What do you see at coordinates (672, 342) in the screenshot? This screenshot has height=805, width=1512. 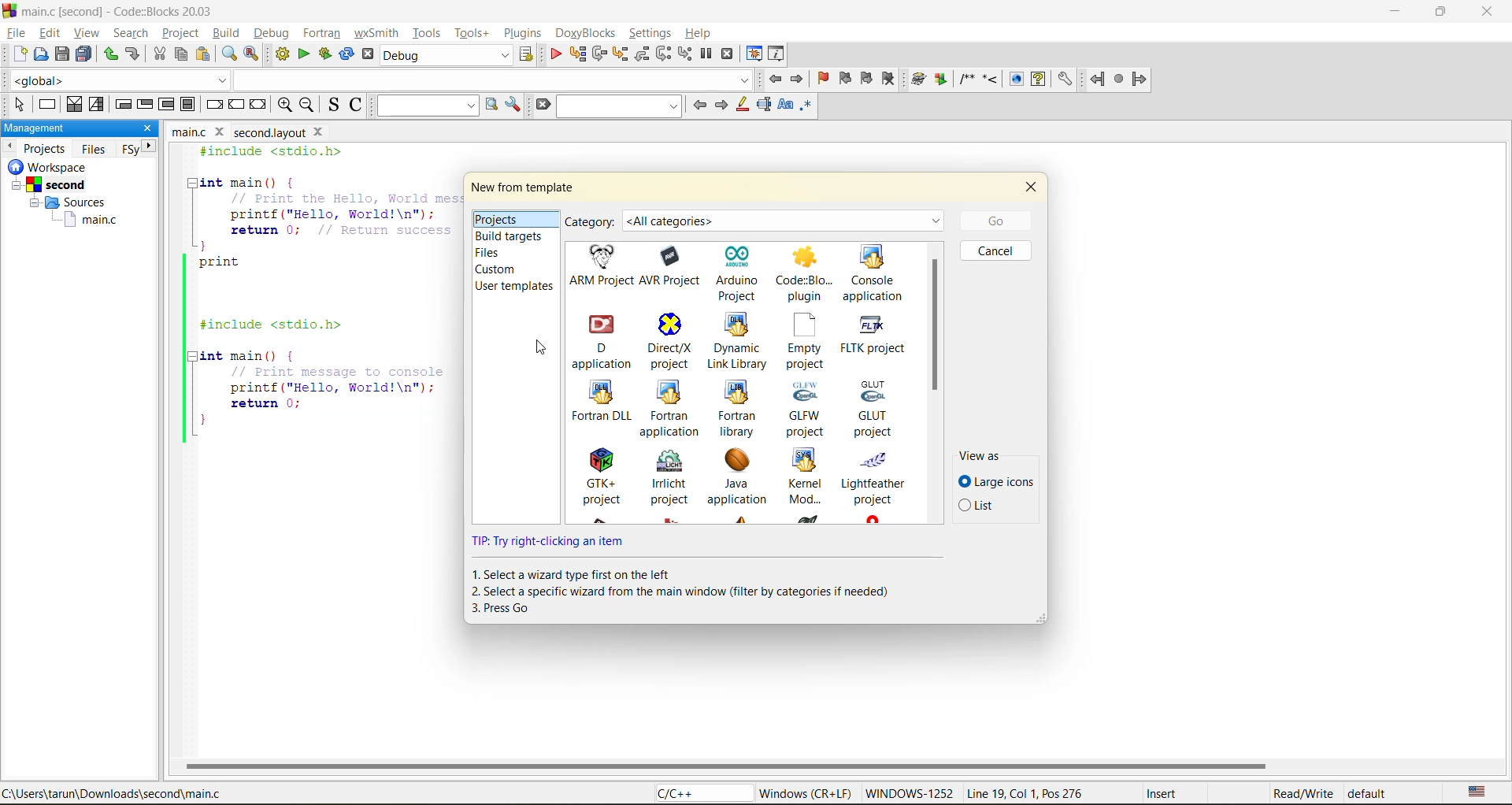 I see `direct/x project` at bounding box center [672, 342].